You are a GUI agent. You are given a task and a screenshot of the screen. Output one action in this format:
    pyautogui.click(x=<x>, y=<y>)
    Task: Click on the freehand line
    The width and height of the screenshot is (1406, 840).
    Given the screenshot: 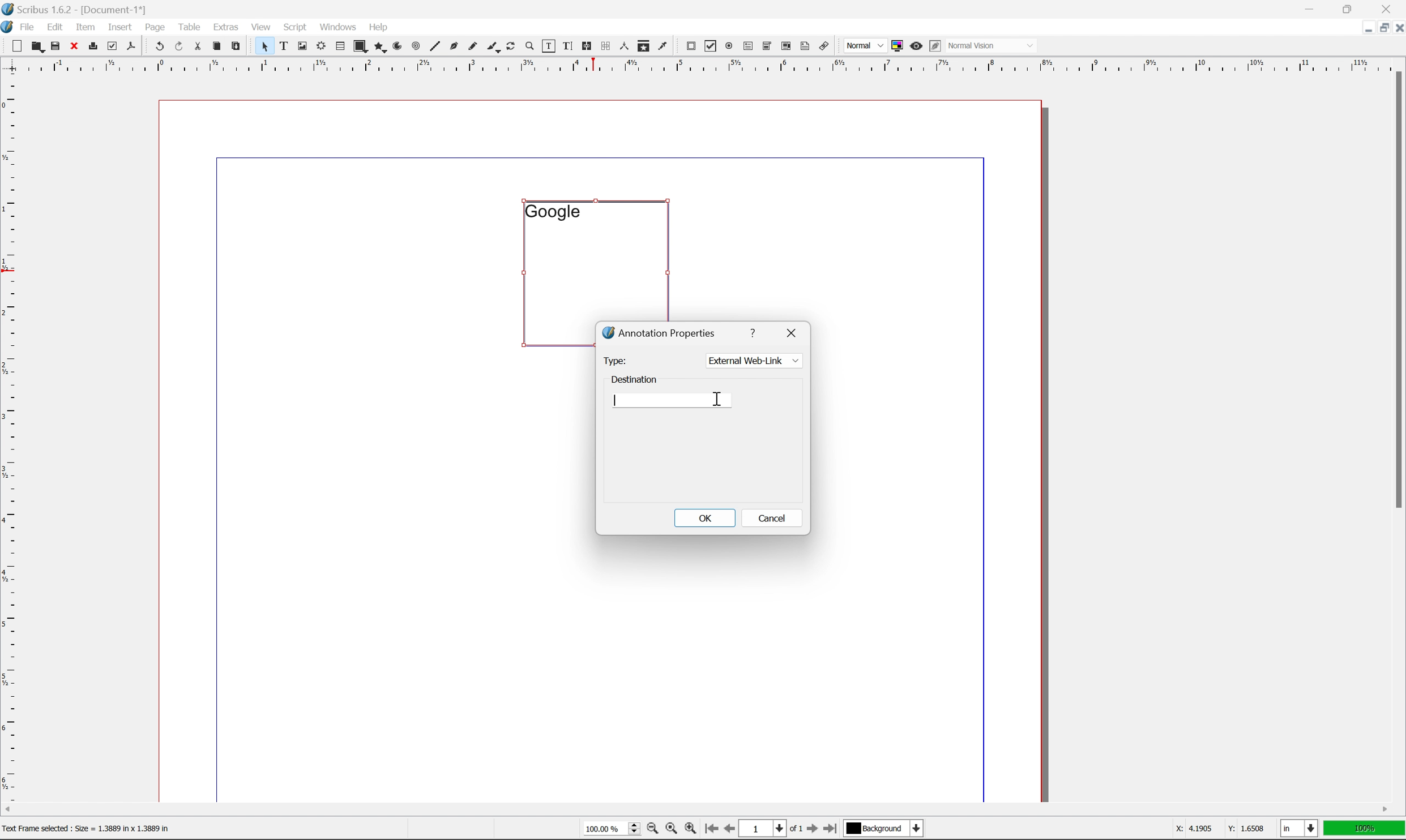 What is the action you would take?
    pyautogui.click(x=474, y=47)
    